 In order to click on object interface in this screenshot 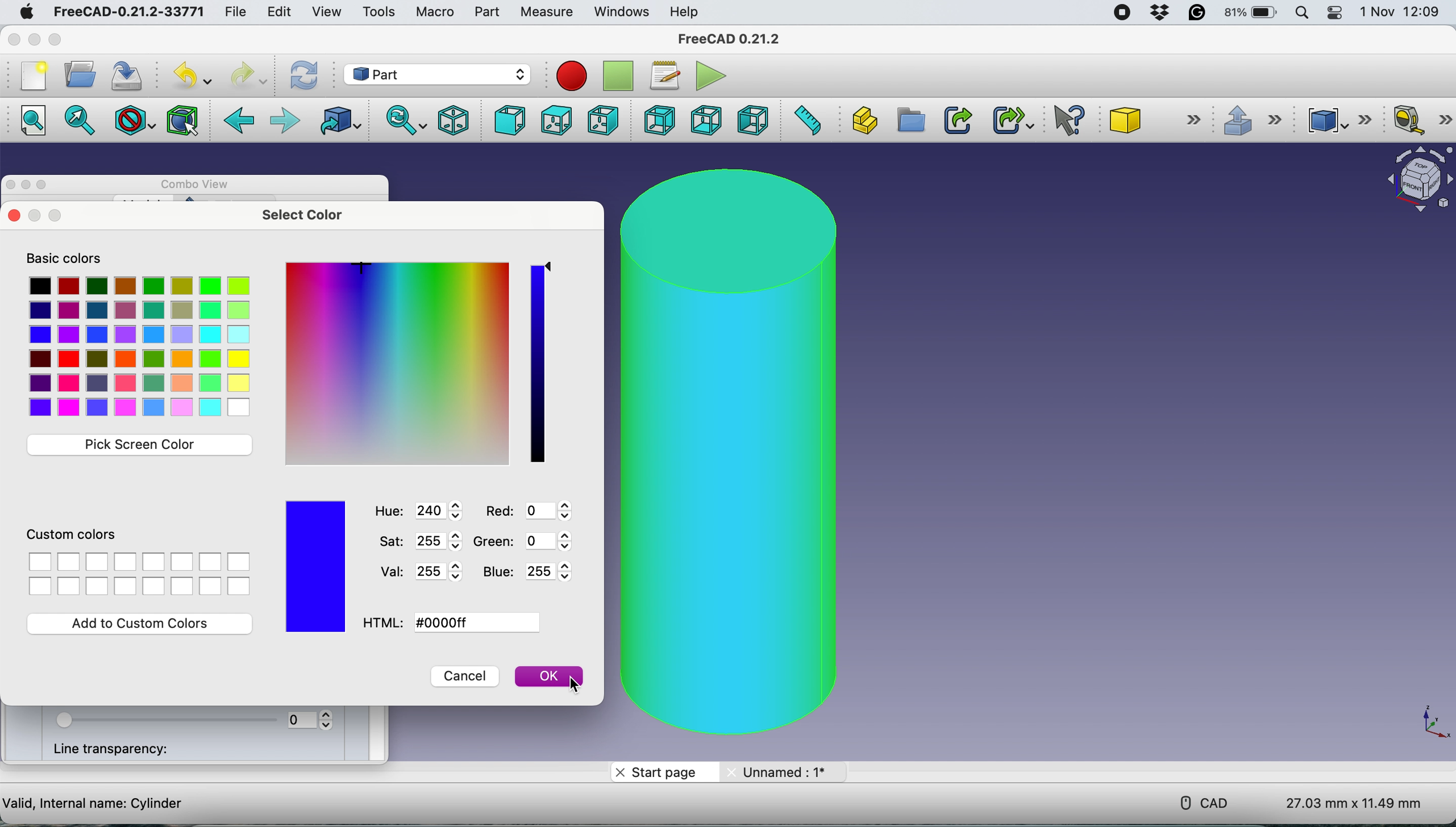, I will do `click(1418, 179)`.